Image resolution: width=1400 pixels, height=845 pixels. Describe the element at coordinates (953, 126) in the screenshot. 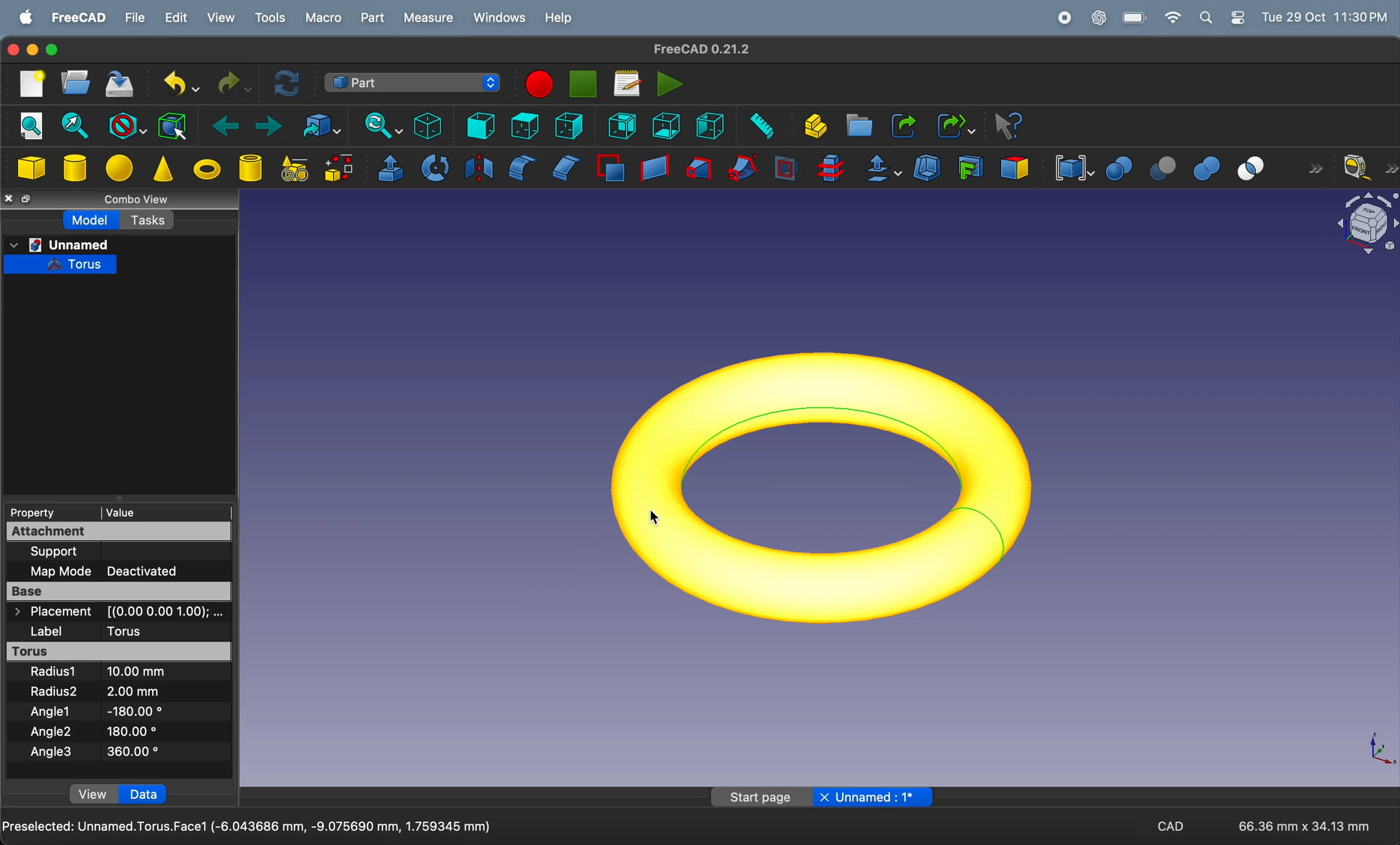

I see `make sub link` at that location.